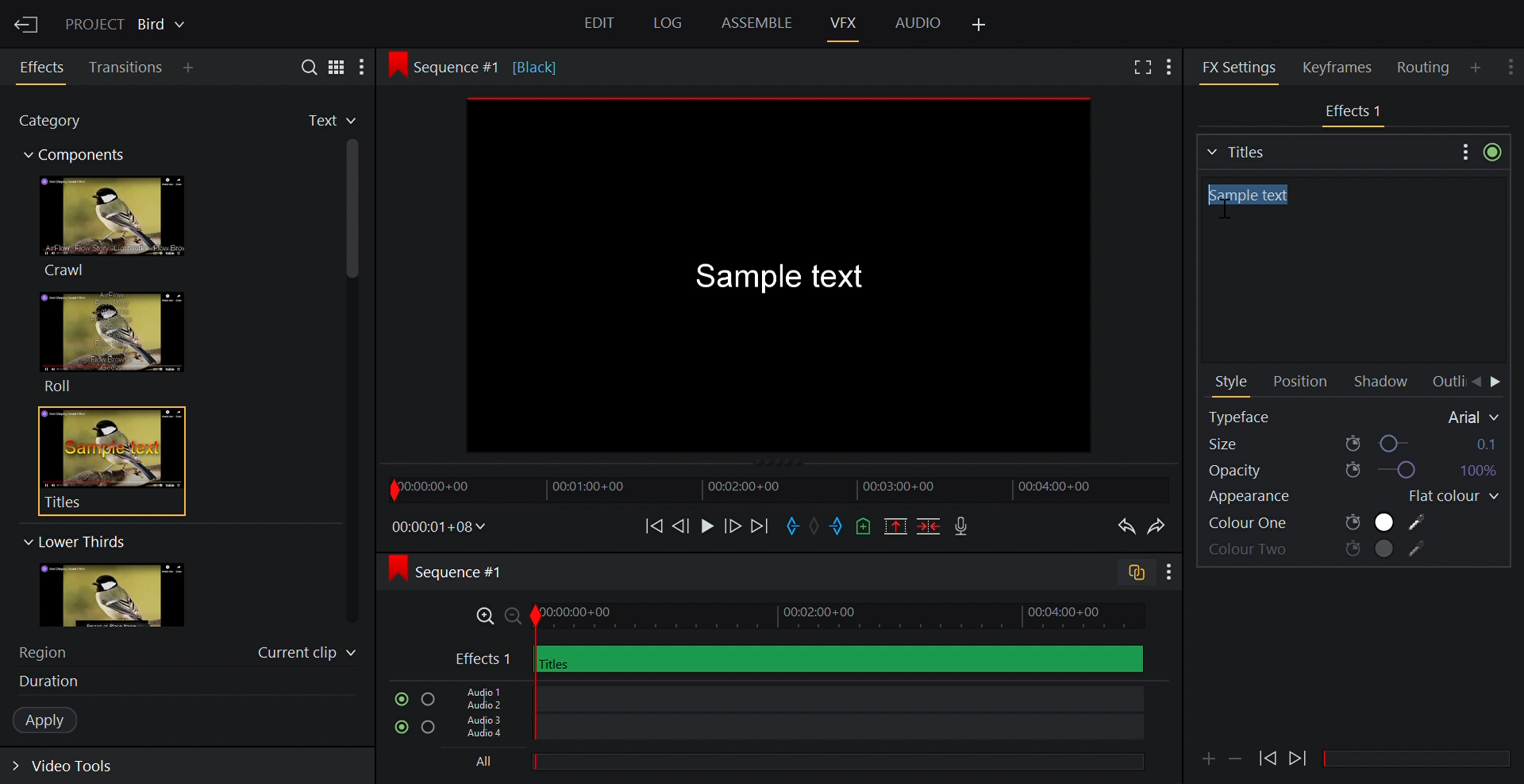 The image size is (1524, 784). Describe the element at coordinates (796, 731) in the screenshot. I see `Audio Track 3, Audio Track 4` at that location.